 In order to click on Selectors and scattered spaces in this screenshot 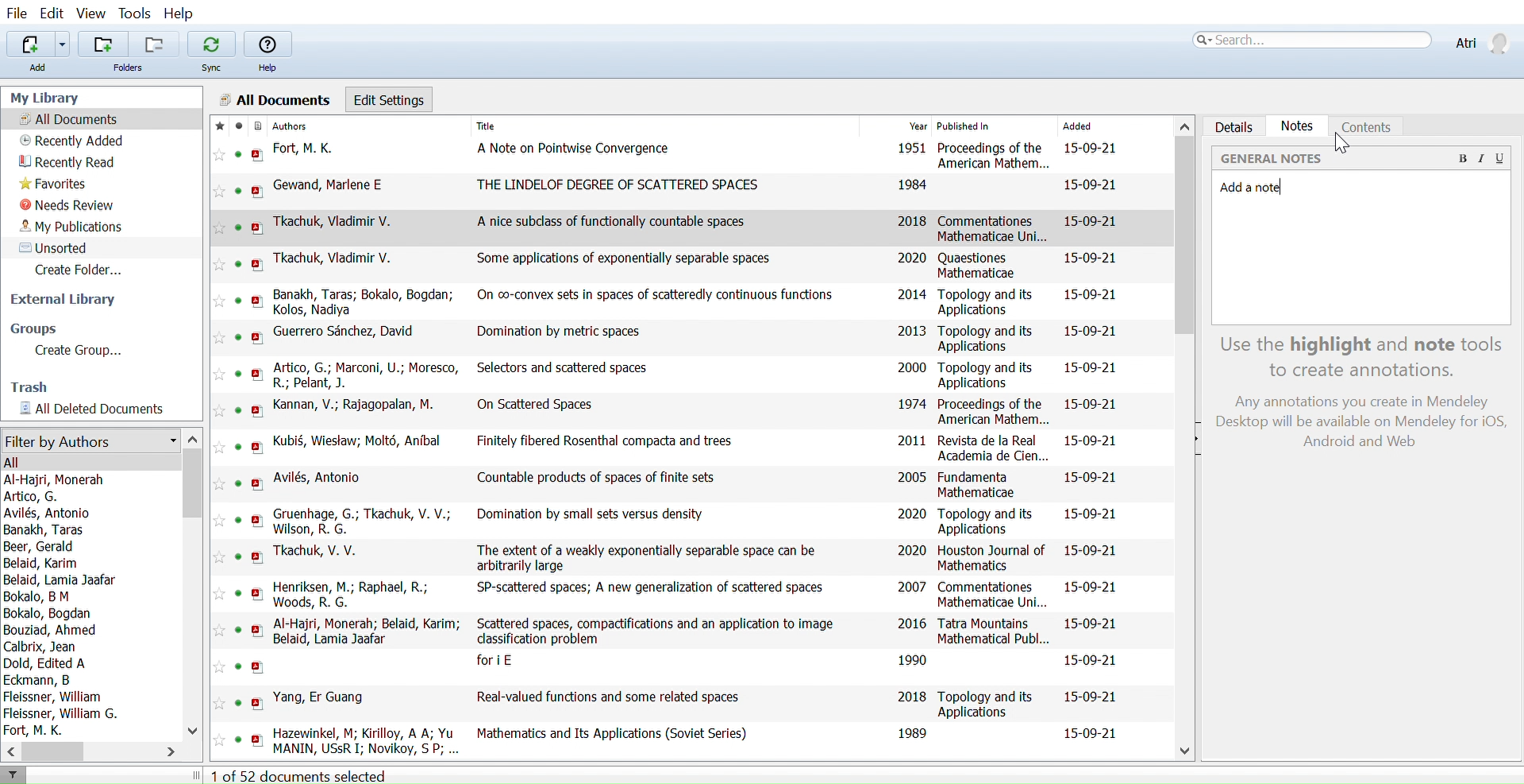, I will do `click(564, 368)`.